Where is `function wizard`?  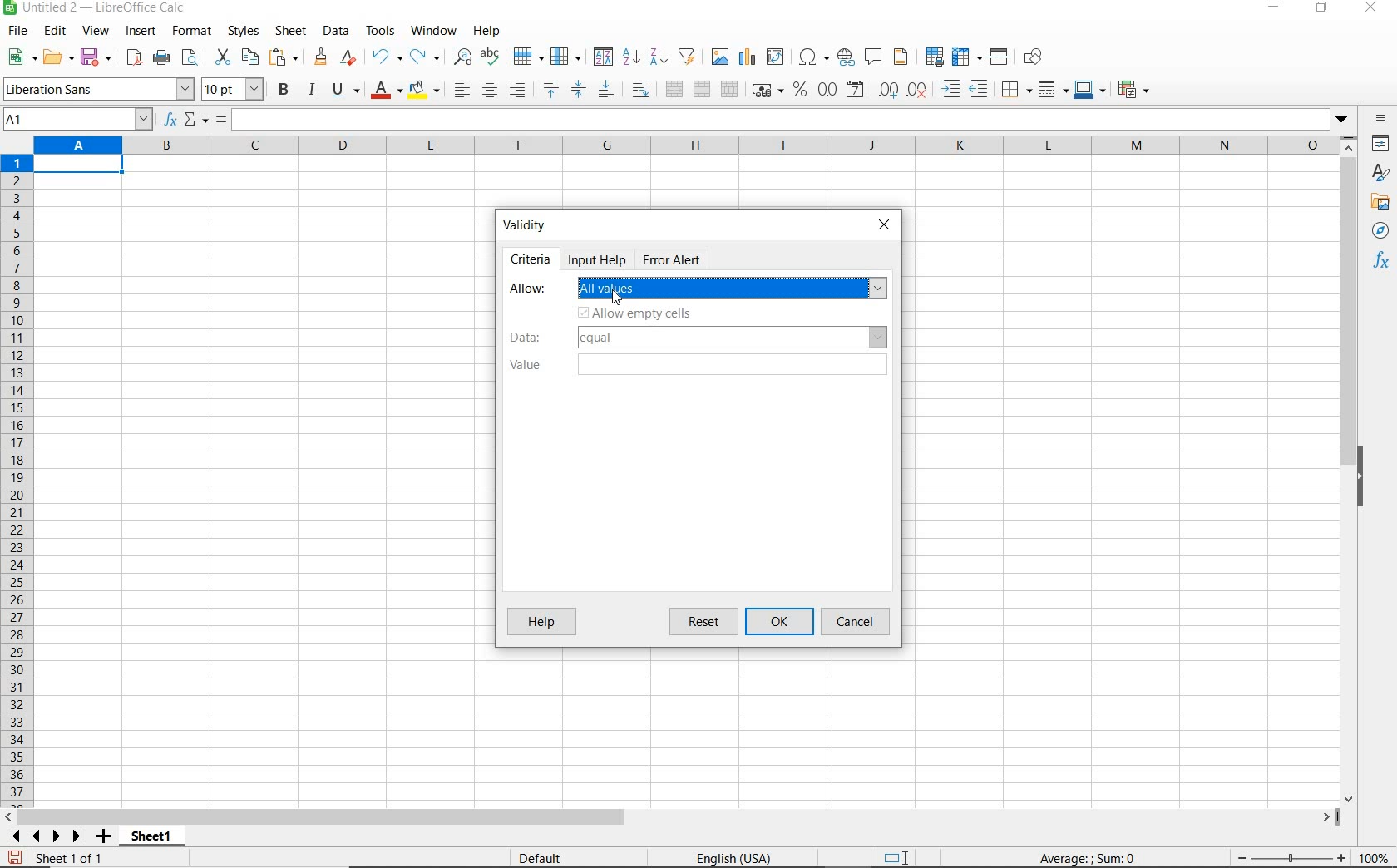
function wizard is located at coordinates (168, 120).